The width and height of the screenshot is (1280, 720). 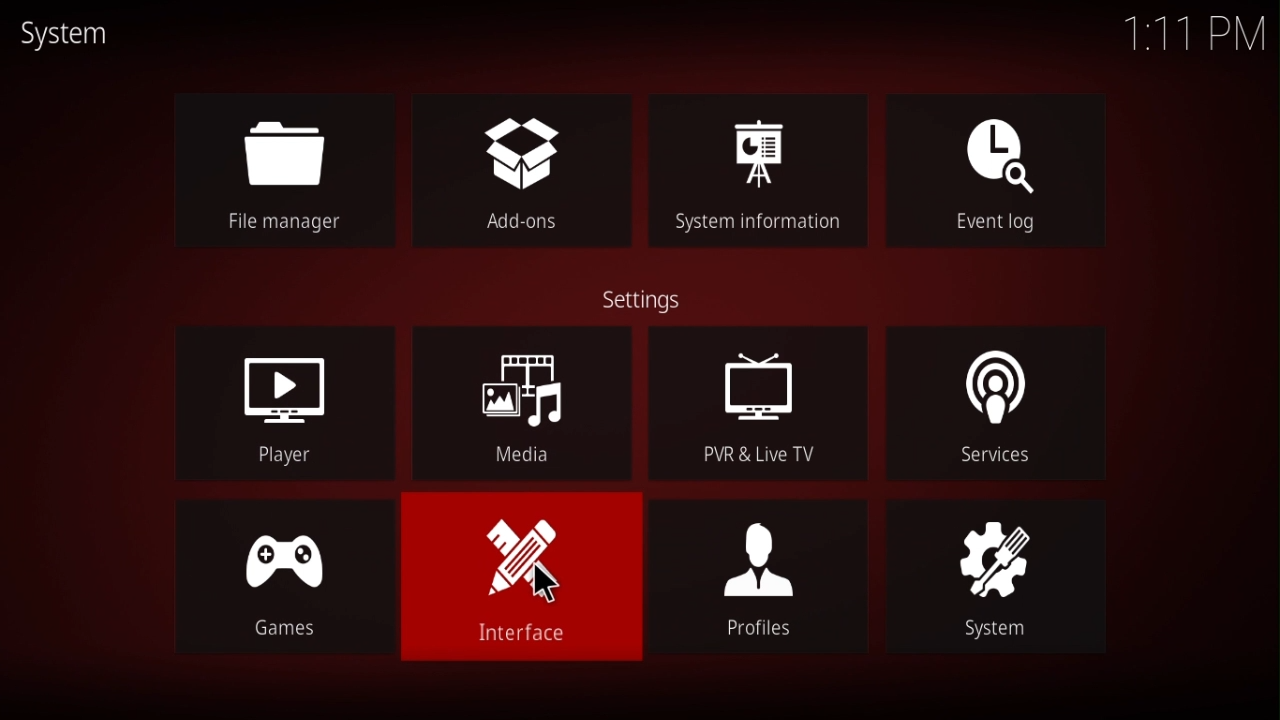 I want to click on services, so click(x=1002, y=406).